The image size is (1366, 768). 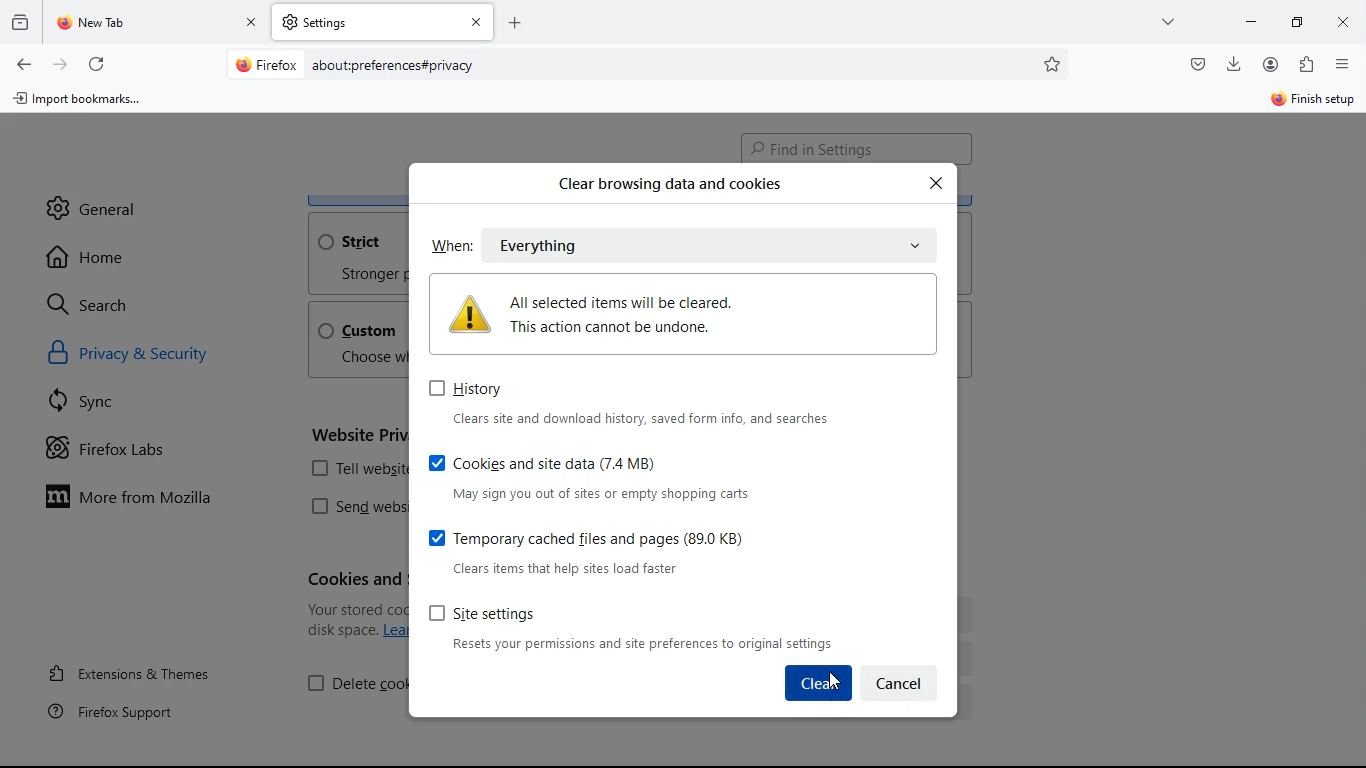 I want to click on firefox support, so click(x=124, y=711).